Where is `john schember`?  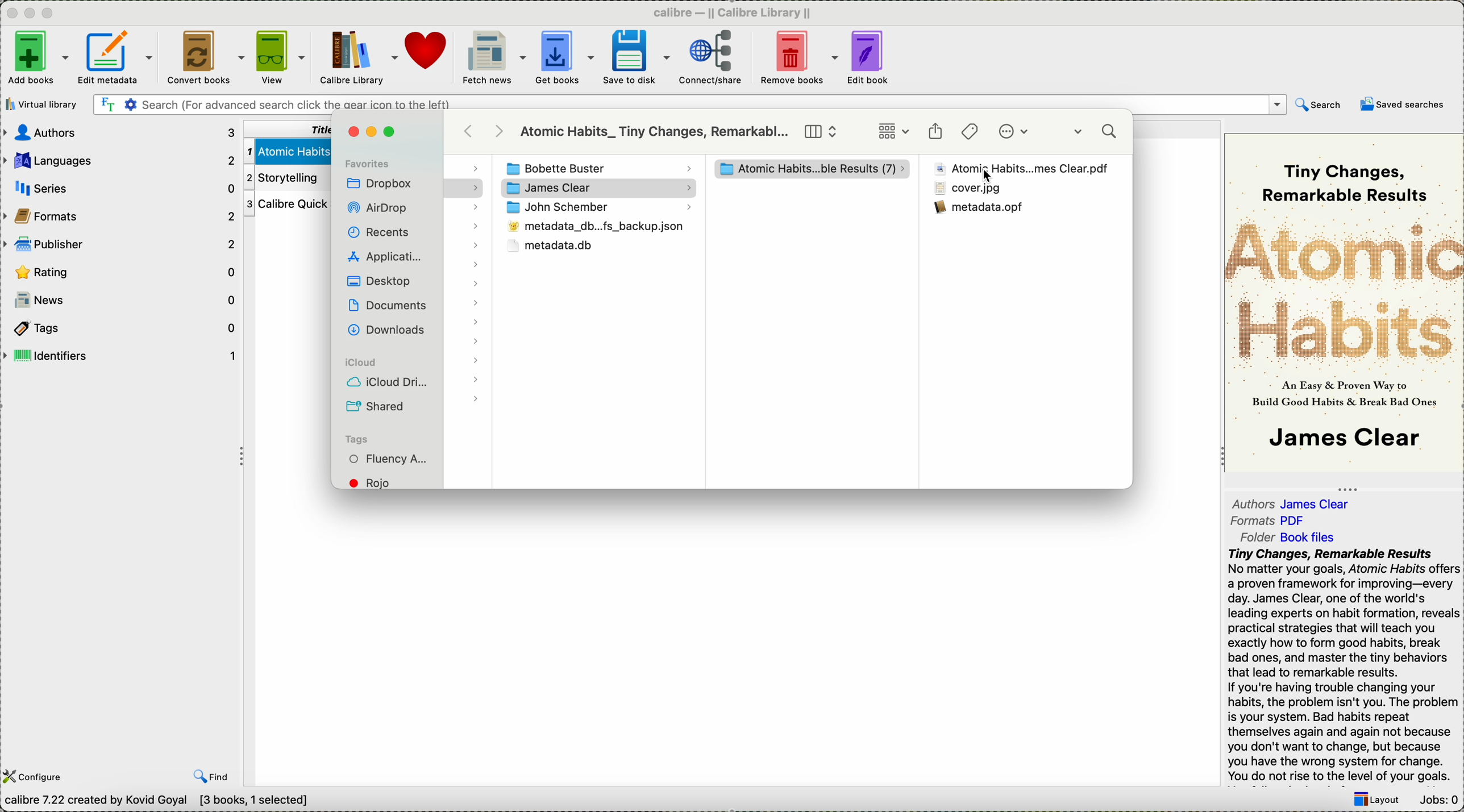
john schember is located at coordinates (598, 209).